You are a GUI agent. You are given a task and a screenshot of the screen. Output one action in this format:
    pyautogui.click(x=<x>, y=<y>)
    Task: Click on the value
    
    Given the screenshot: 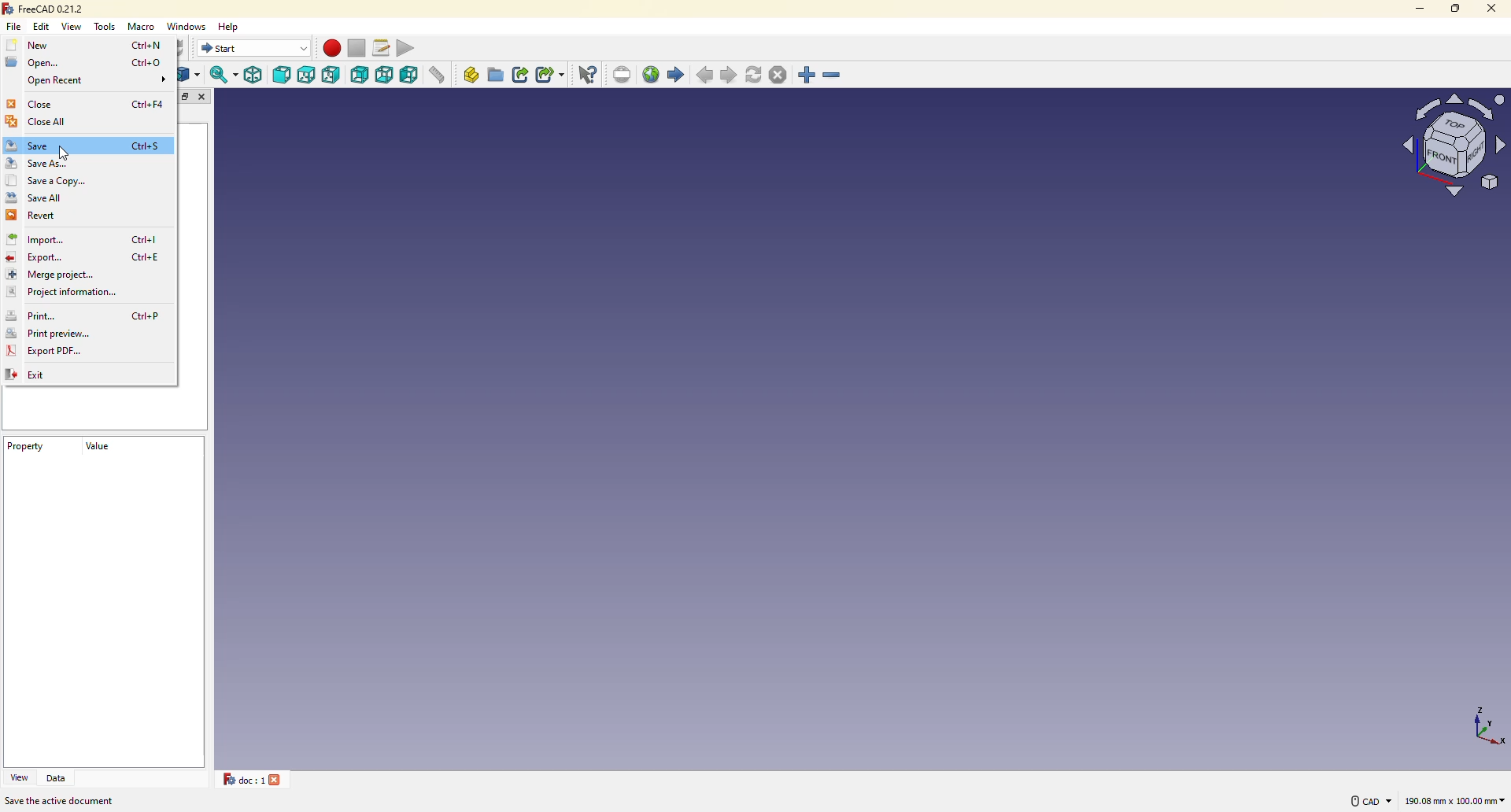 What is the action you would take?
    pyautogui.click(x=95, y=452)
    